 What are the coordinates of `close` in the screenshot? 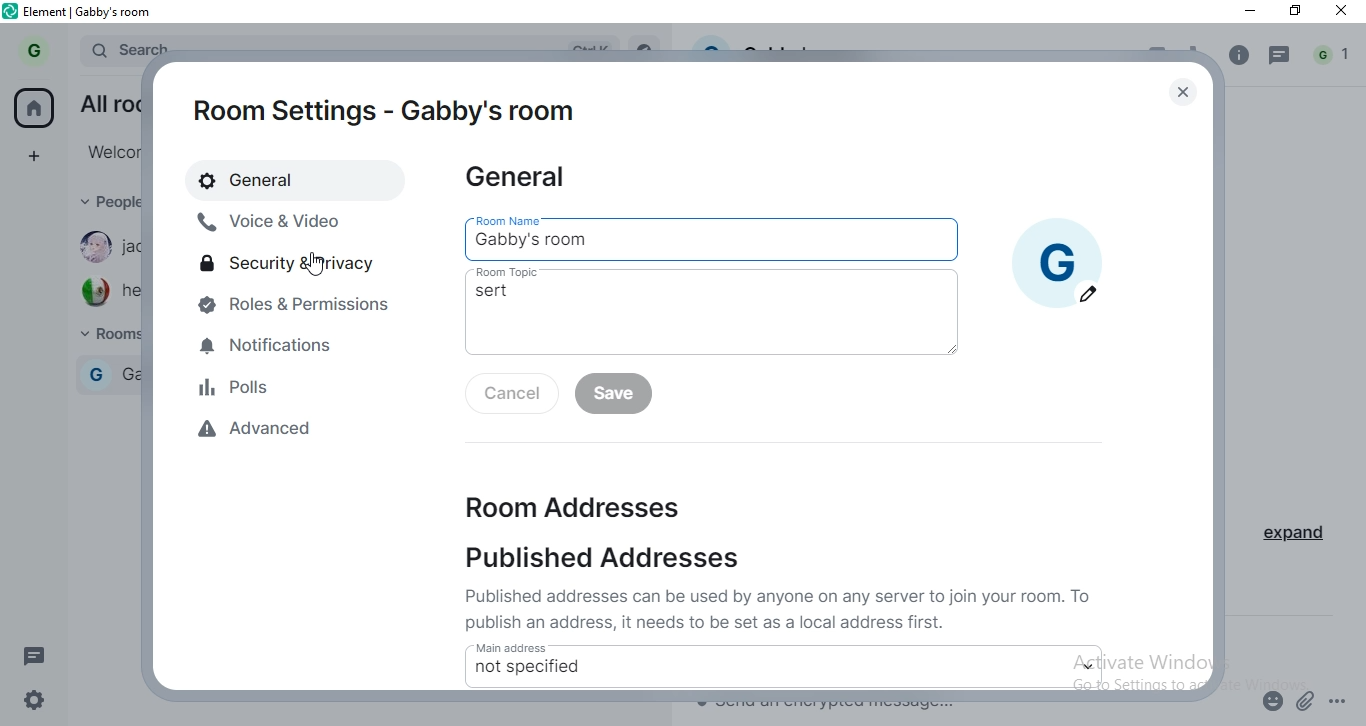 It's located at (1180, 94).